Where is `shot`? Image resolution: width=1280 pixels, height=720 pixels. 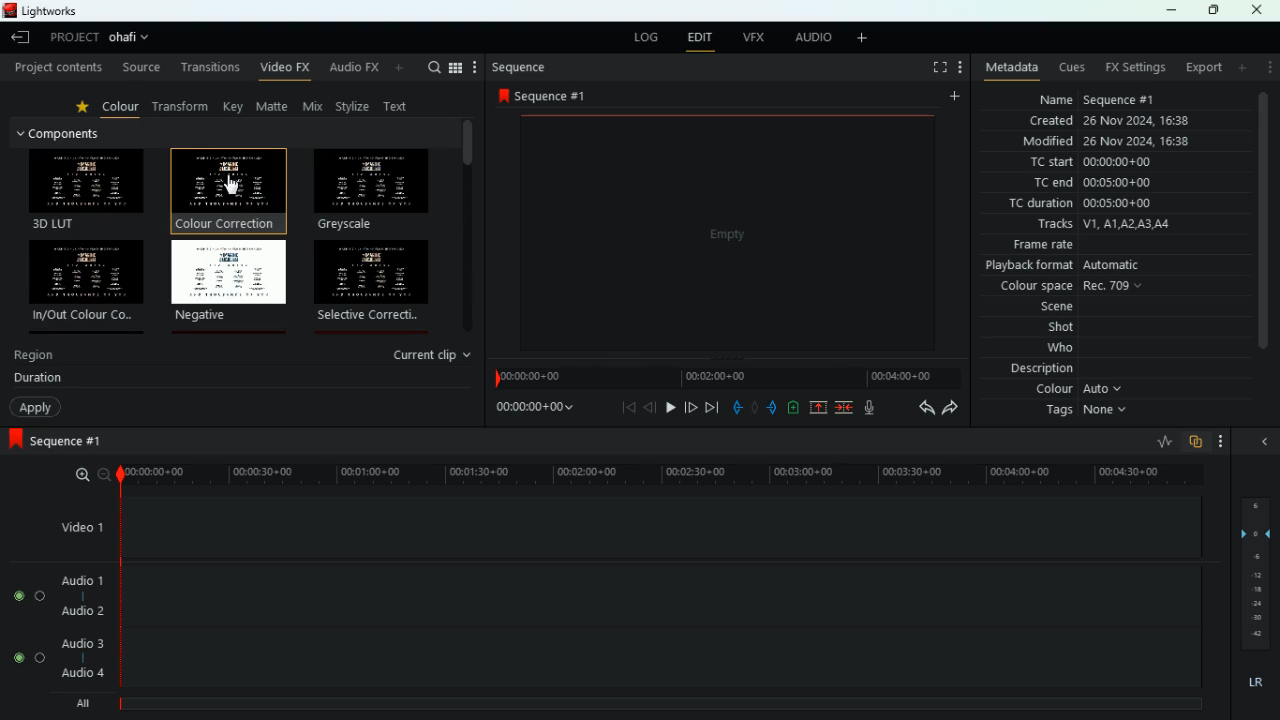
shot is located at coordinates (1045, 328).